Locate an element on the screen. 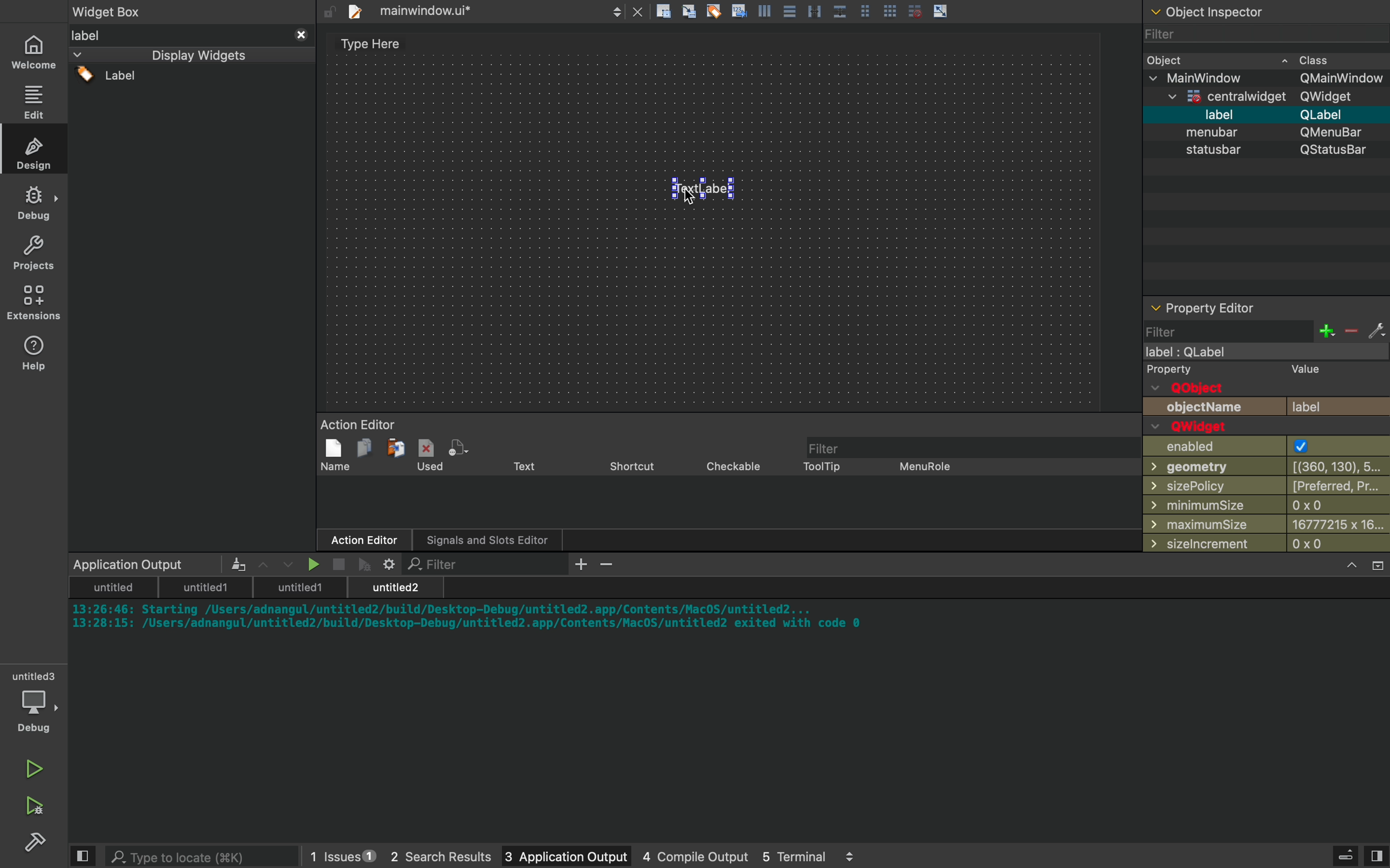 The height and width of the screenshot is (868, 1390). debug and run is located at coordinates (34, 805).